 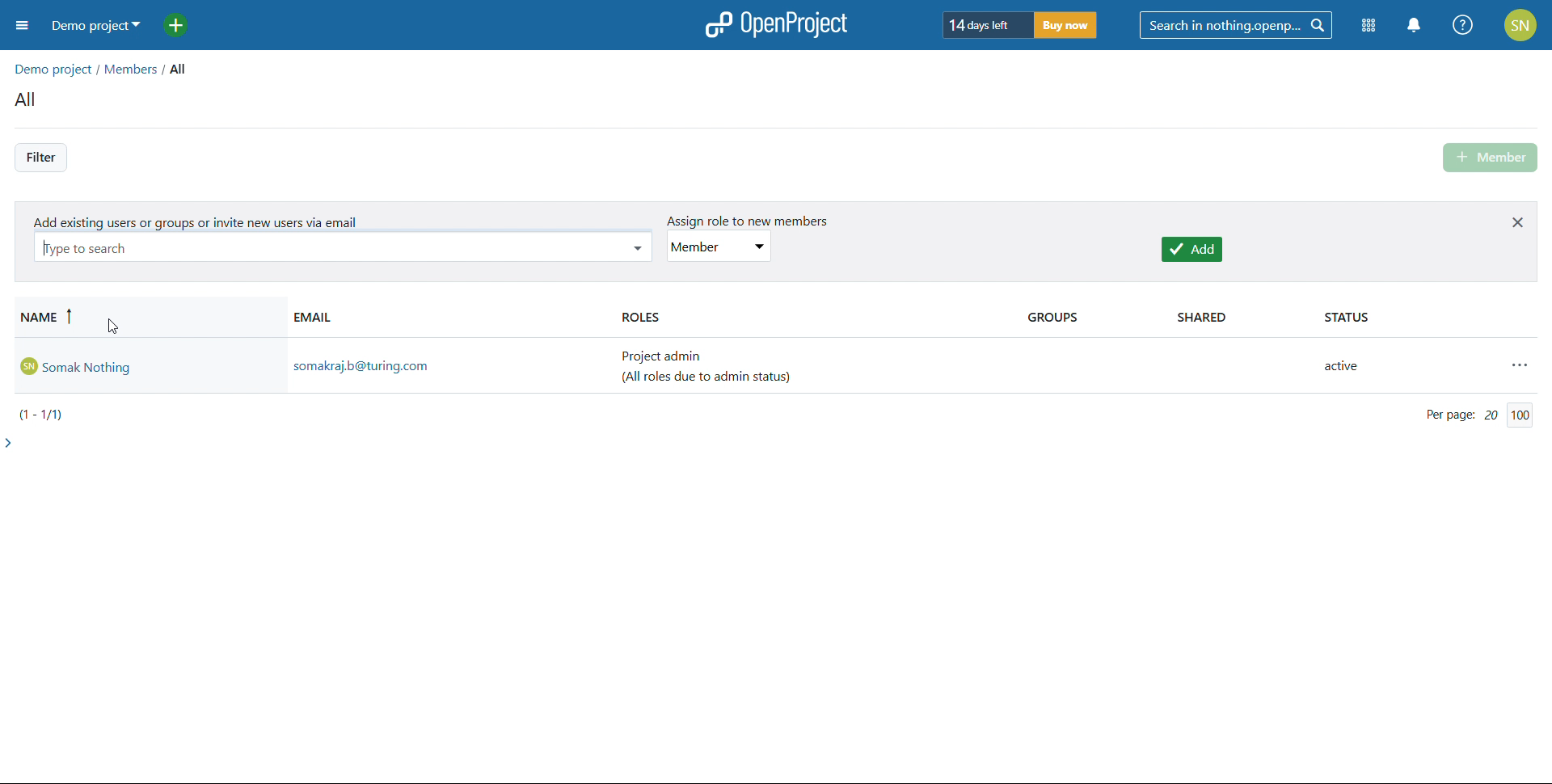 I want to click on assign role to new members, so click(x=753, y=221).